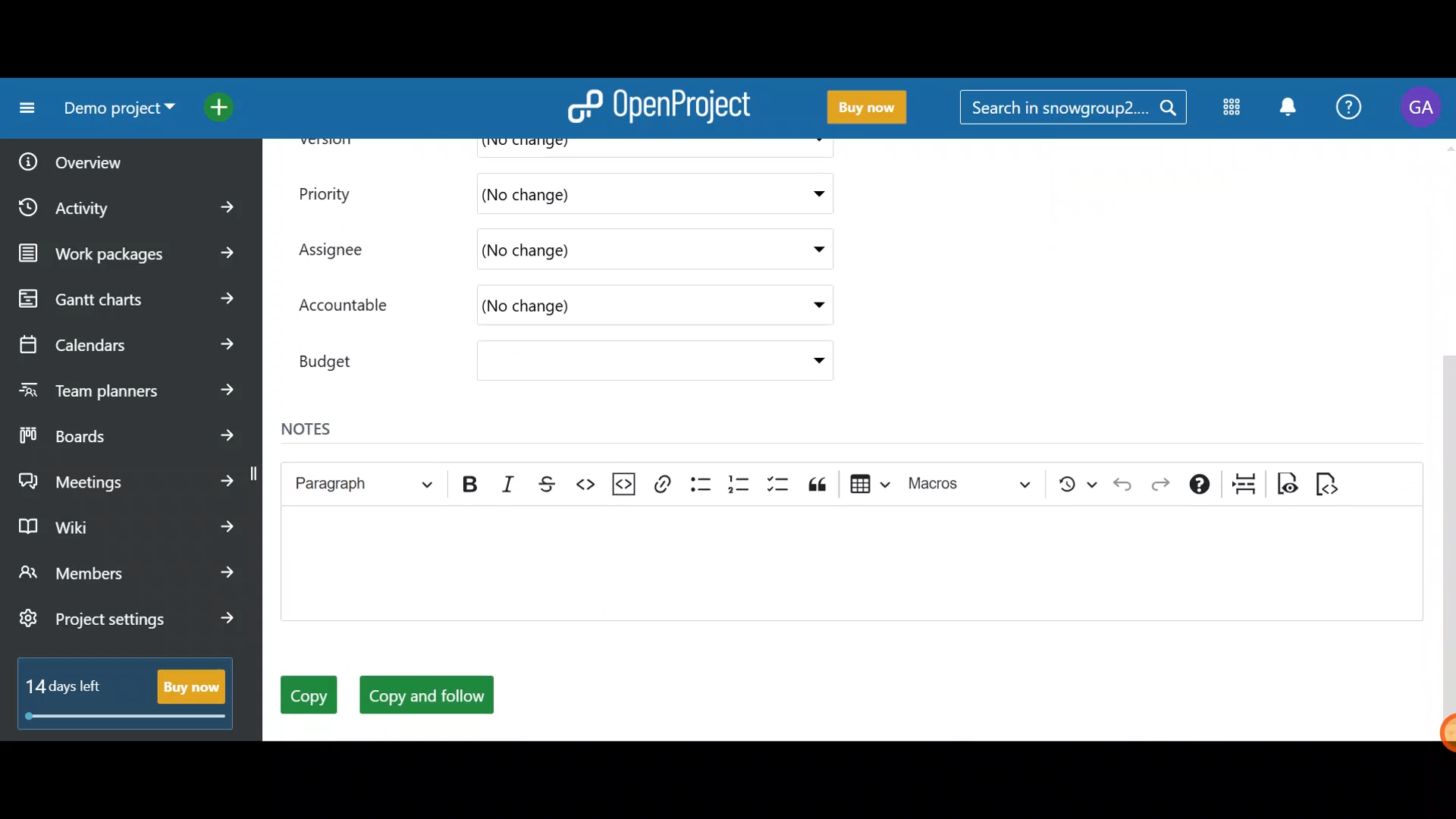 The image size is (1456, 819). What do you see at coordinates (1350, 109) in the screenshot?
I see `Help` at bounding box center [1350, 109].